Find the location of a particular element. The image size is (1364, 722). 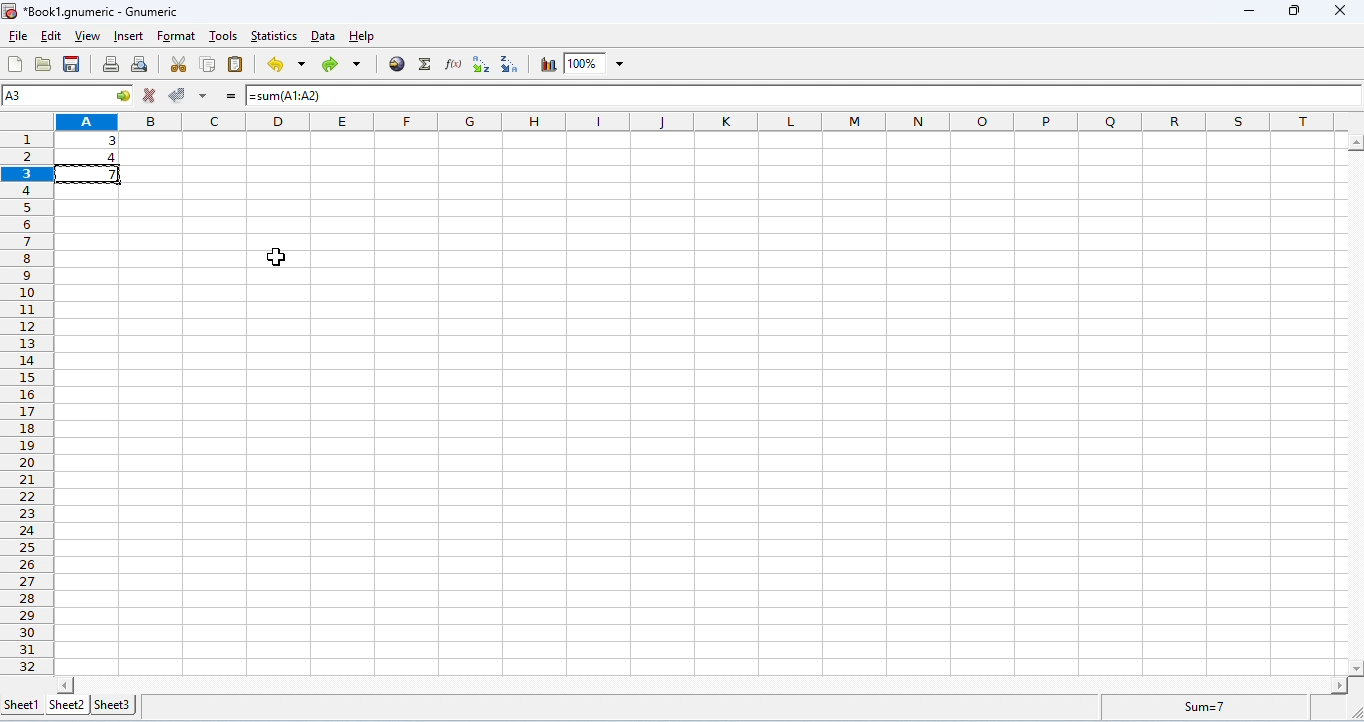

insert is located at coordinates (129, 36).